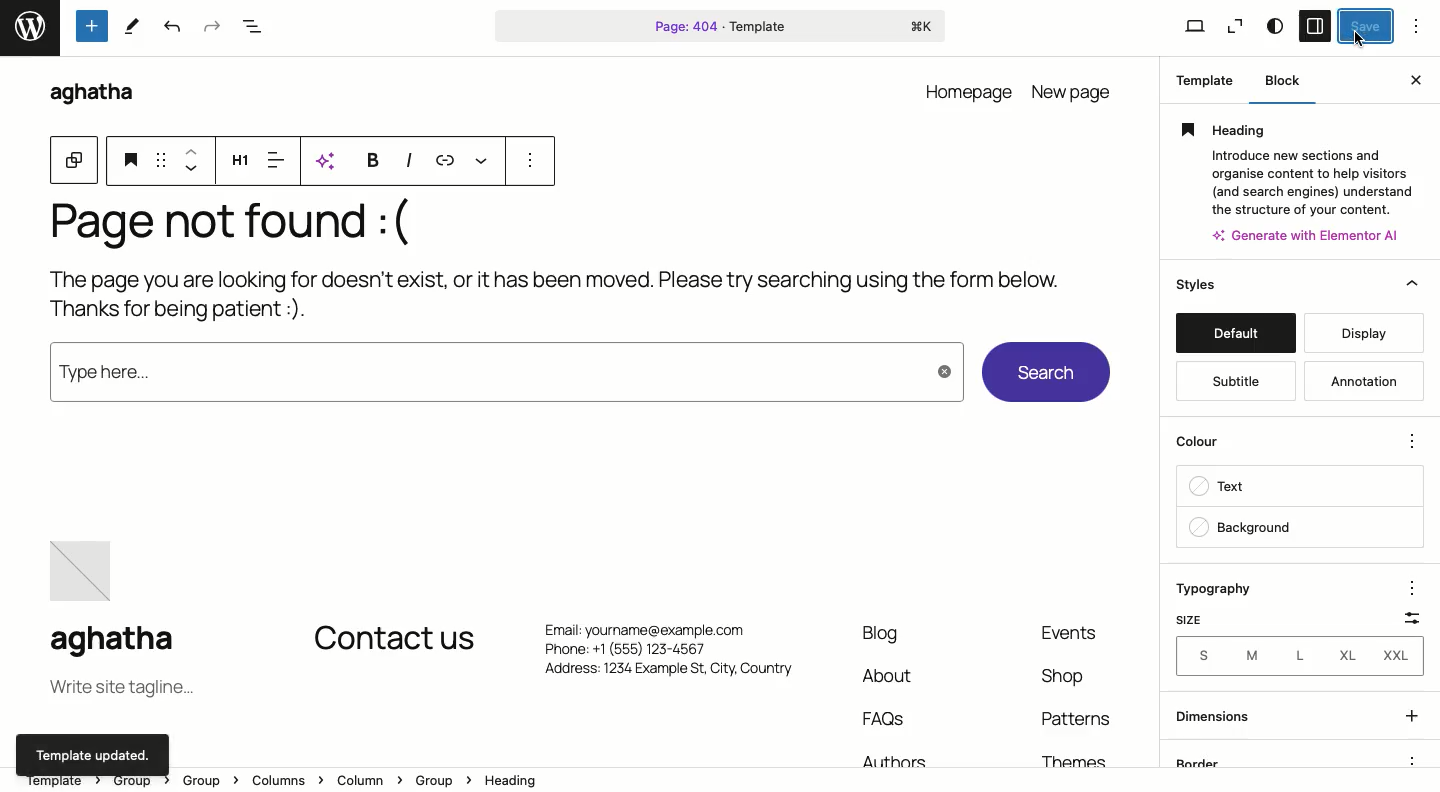 The height and width of the screenshot is (792, 1440). Describe the element at coordinates (1277, 80) in the screenshot. I see `Block` at that location.